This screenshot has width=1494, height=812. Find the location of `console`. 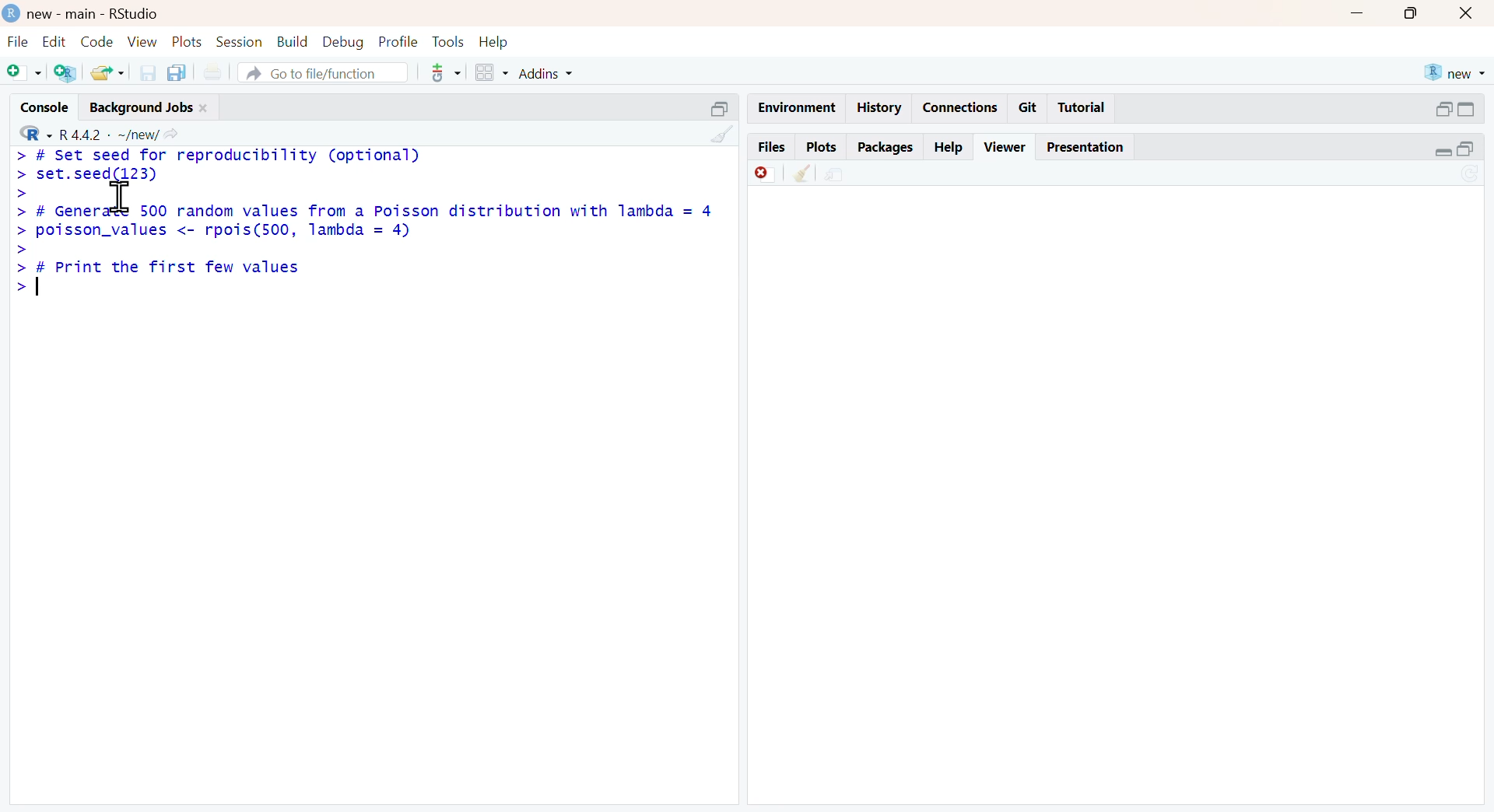

console is located at coordinates (45, 107).